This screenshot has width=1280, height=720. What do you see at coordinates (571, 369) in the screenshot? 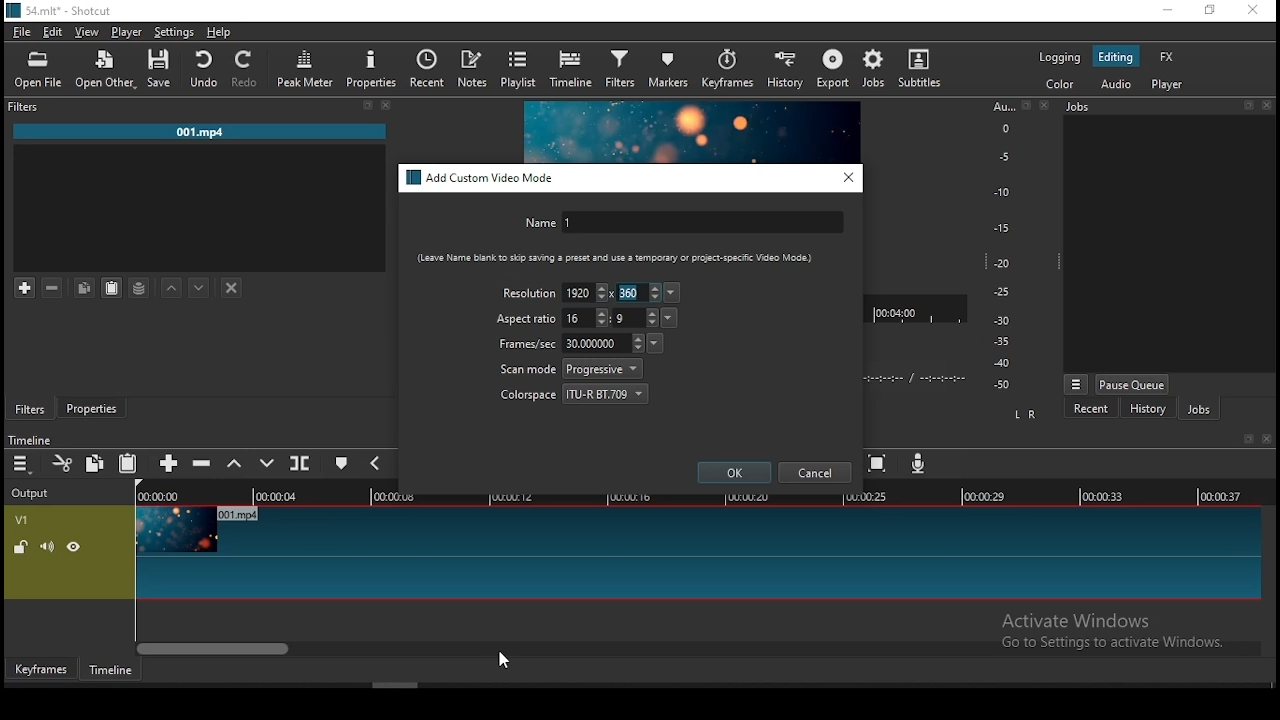
I see `scan mode` at bounding box center [571, 369].